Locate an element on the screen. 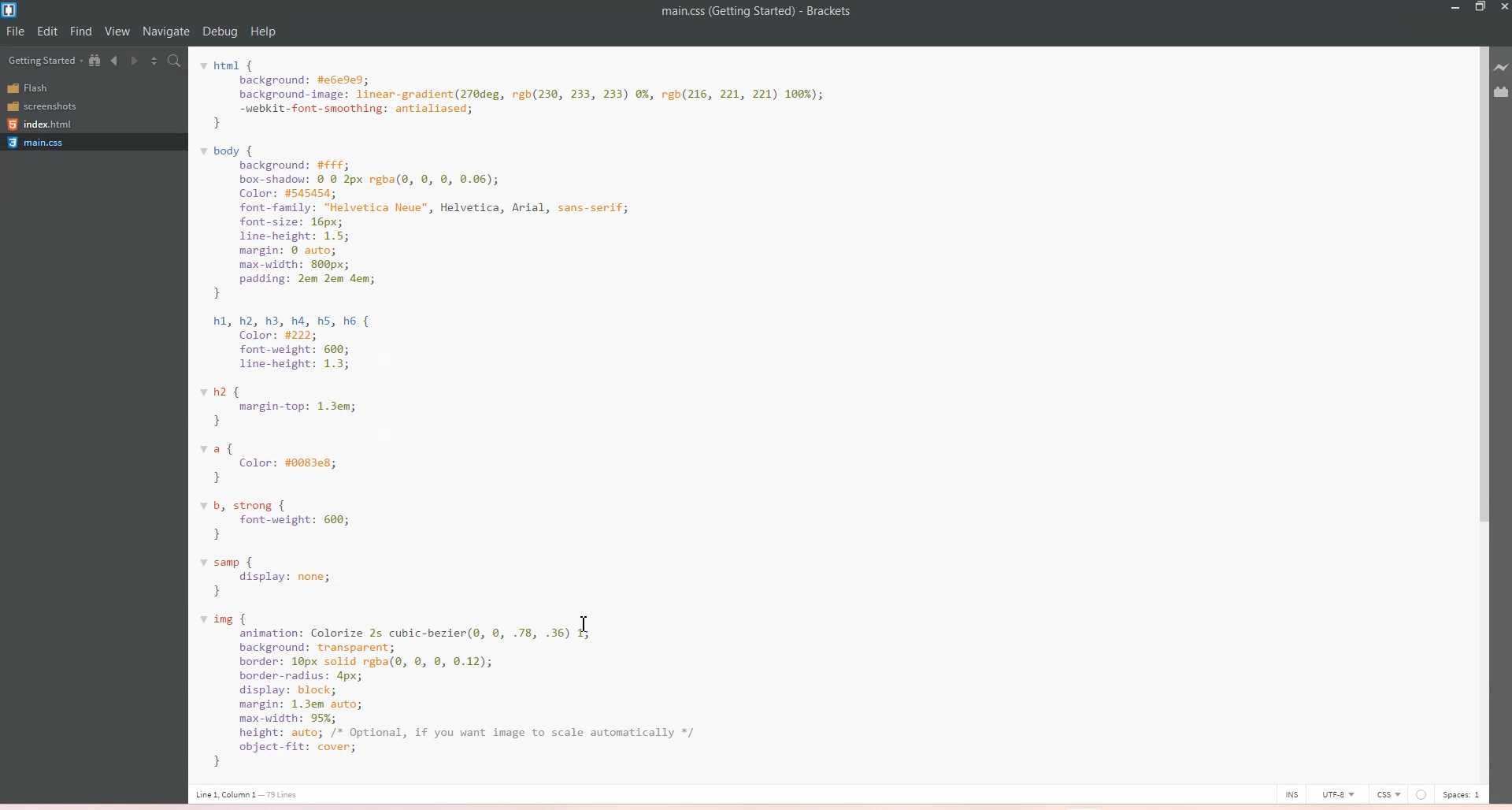 The height and width of the screenshot is (810, 1512). Spaces: 1 is located at coordinates (1464, 795).